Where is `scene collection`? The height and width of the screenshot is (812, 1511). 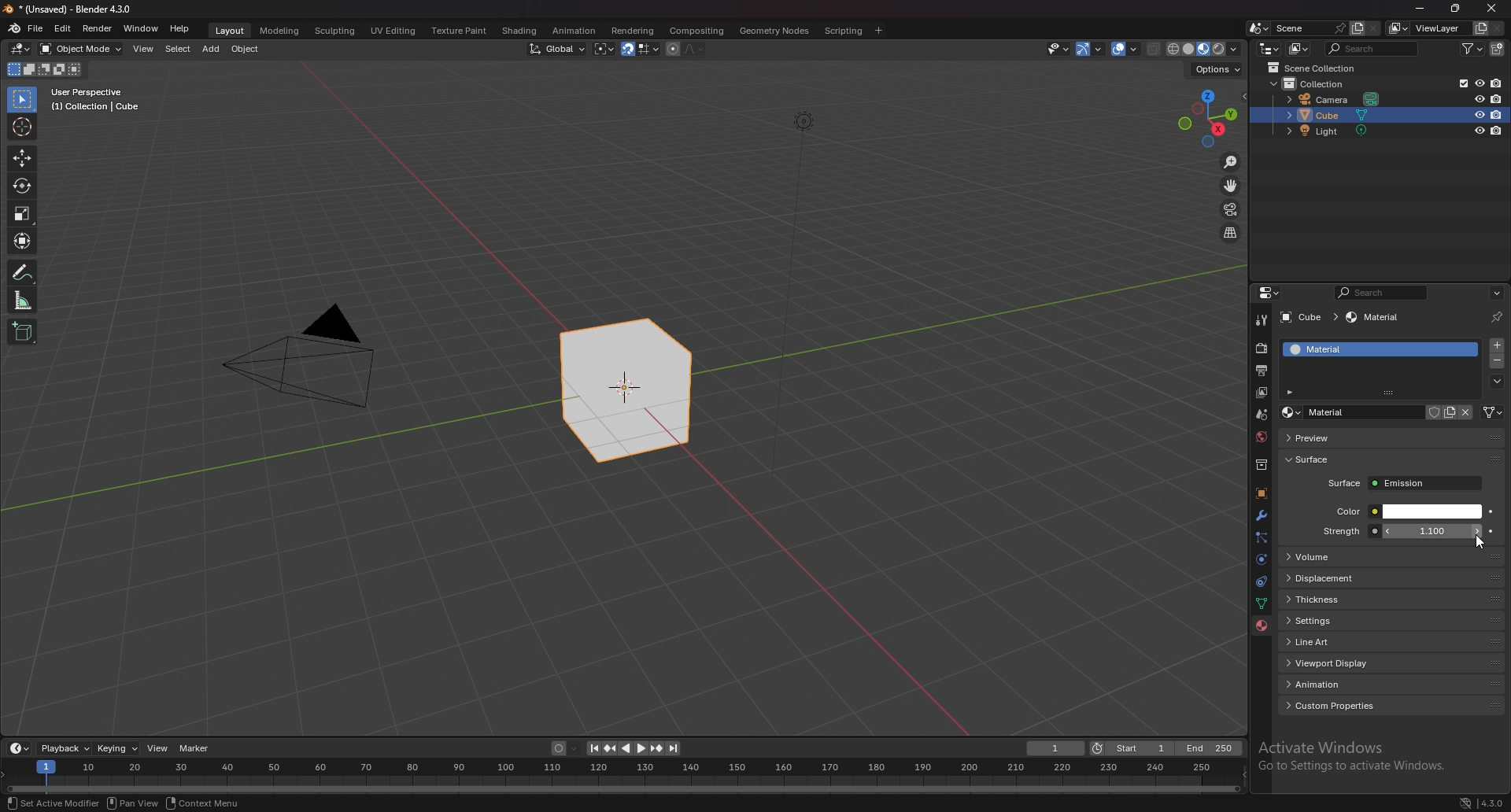
scene collection is located at coordinates (1316, 68).